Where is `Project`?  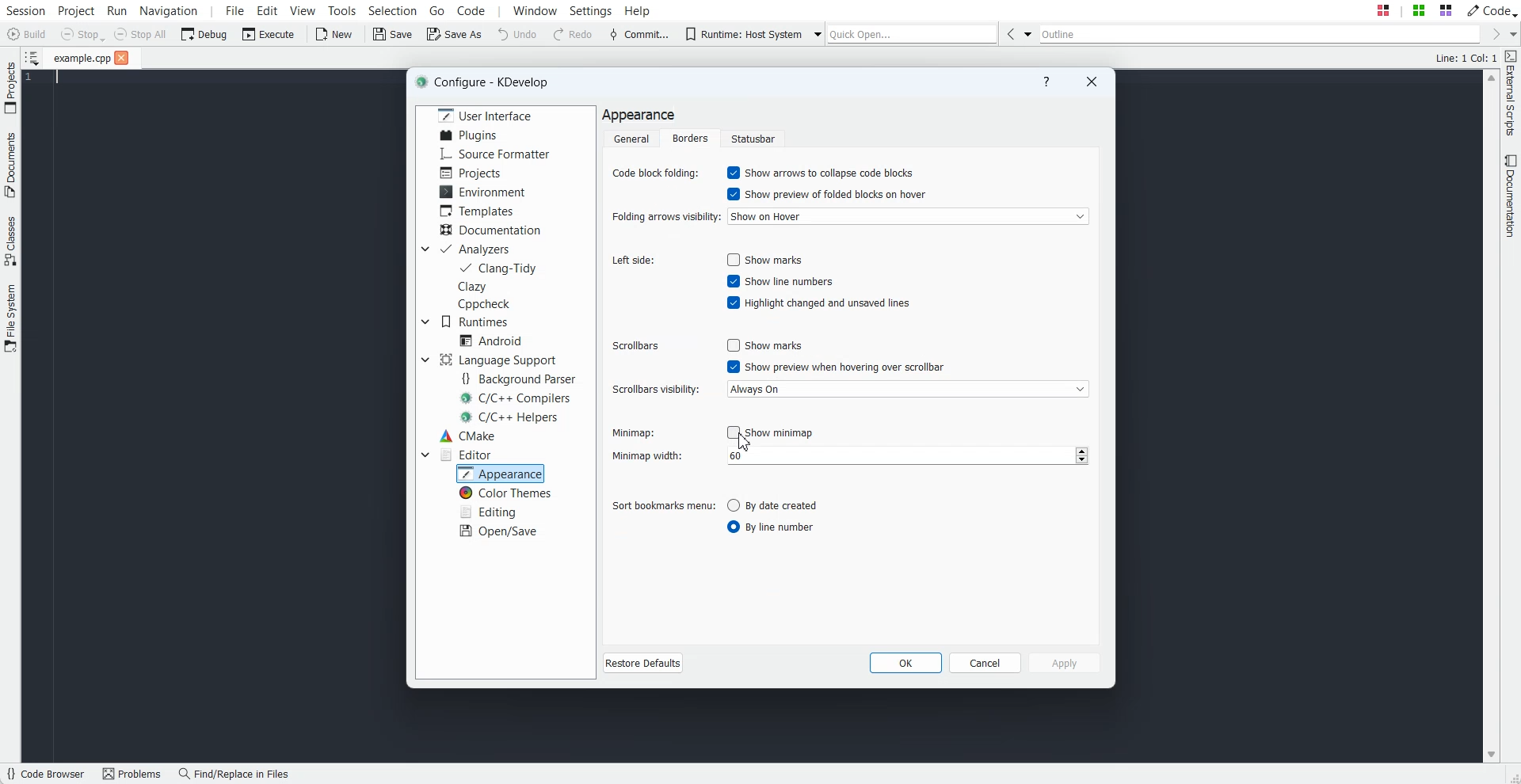 Project is located at coordinates (75, 10).